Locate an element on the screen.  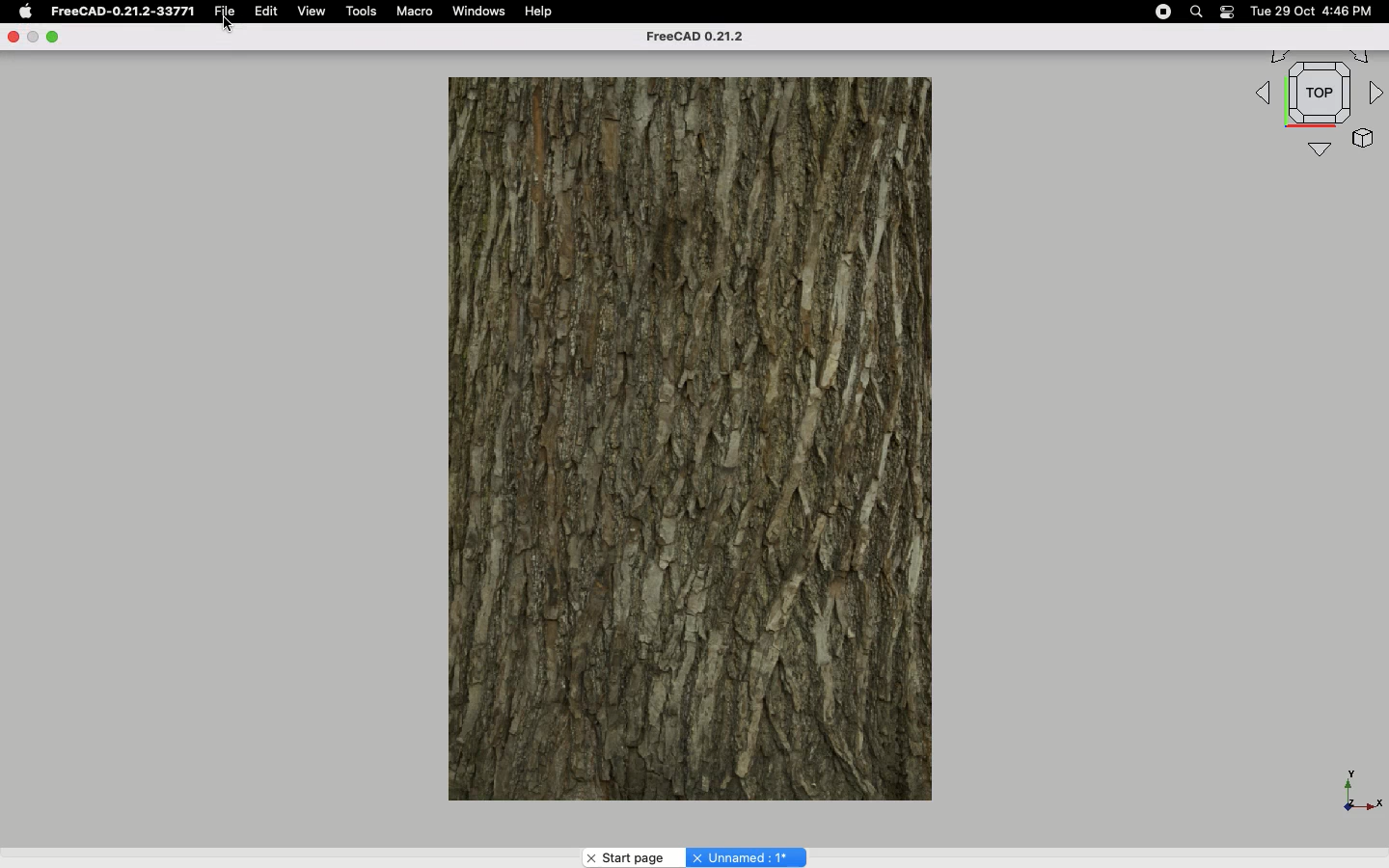
Help is located at coordinates (540, 12).